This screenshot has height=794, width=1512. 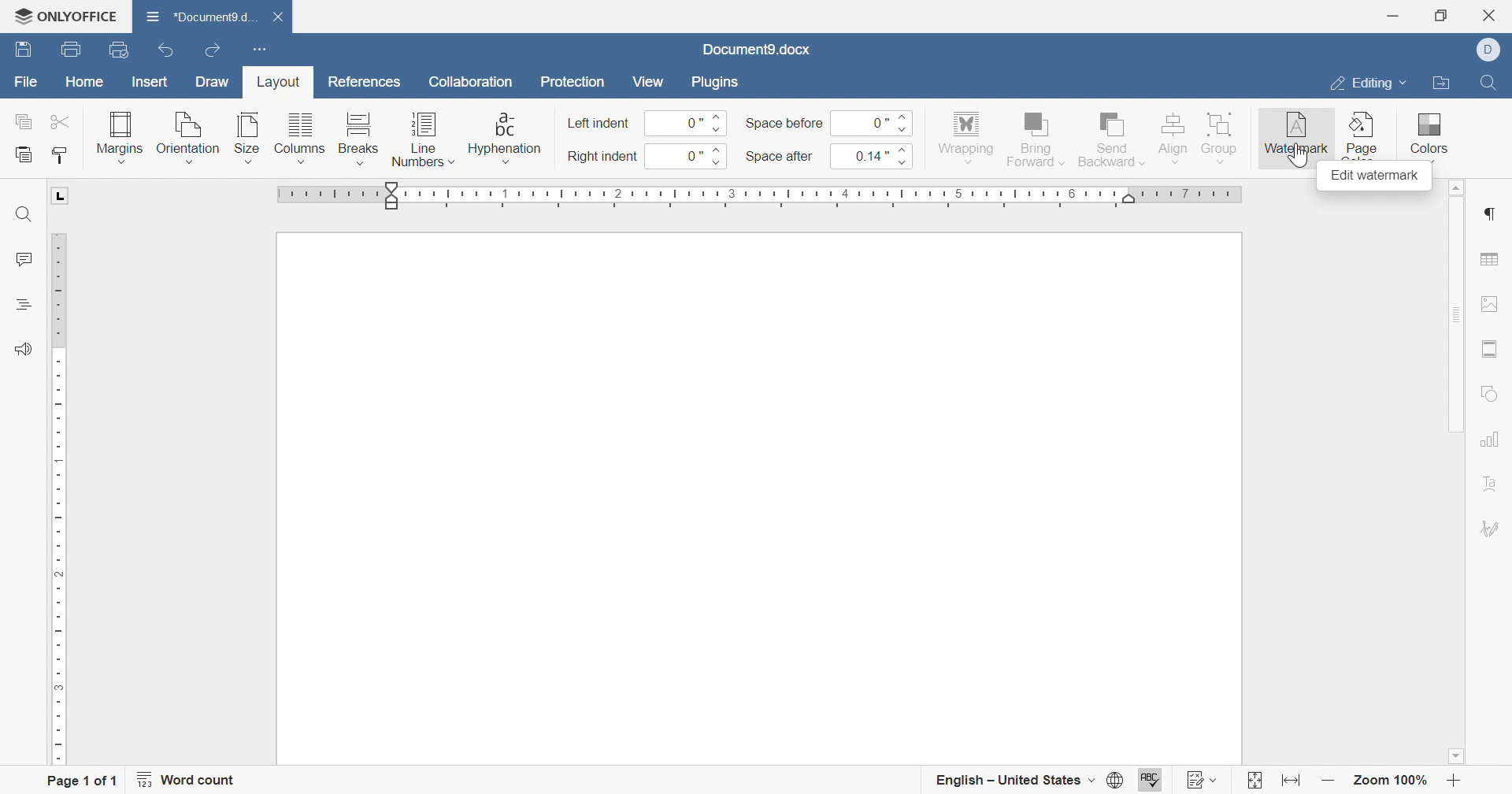 What do you see at coordinates (784, 123) in the screenshot?
I see `space before` at bounding box center [784, 123].